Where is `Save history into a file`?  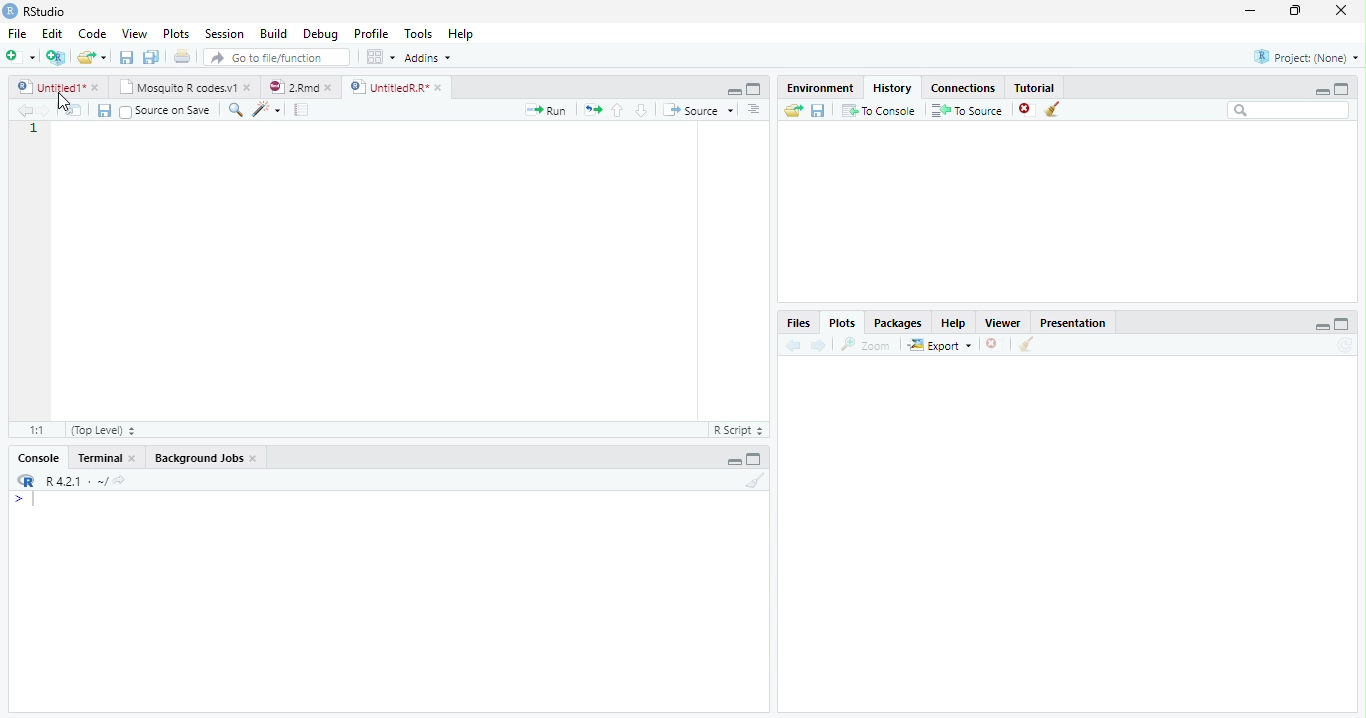 Save history into a file is located at coordinates (818, 110).